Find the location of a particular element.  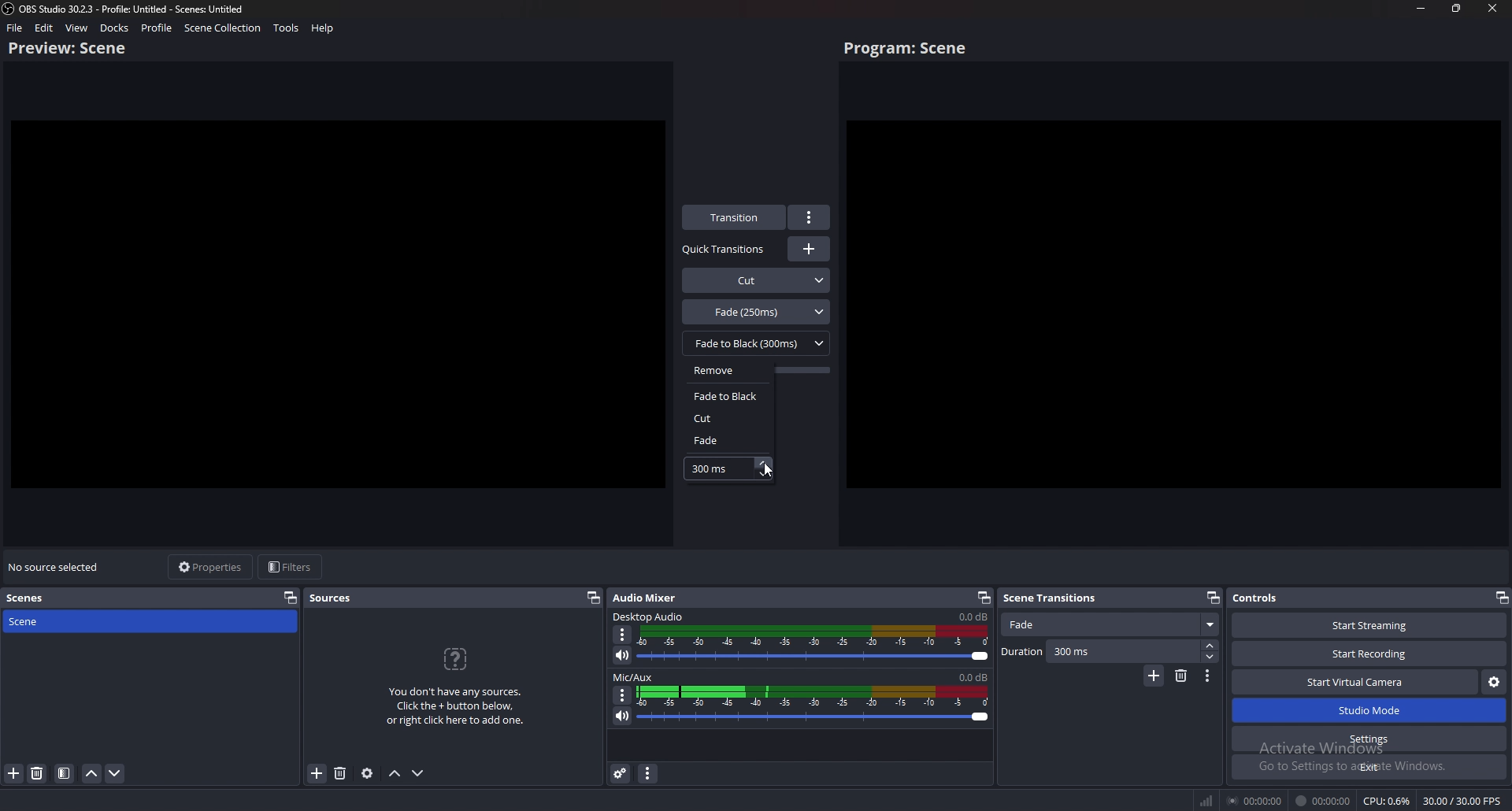

remove is located at coordinates (729, 370).